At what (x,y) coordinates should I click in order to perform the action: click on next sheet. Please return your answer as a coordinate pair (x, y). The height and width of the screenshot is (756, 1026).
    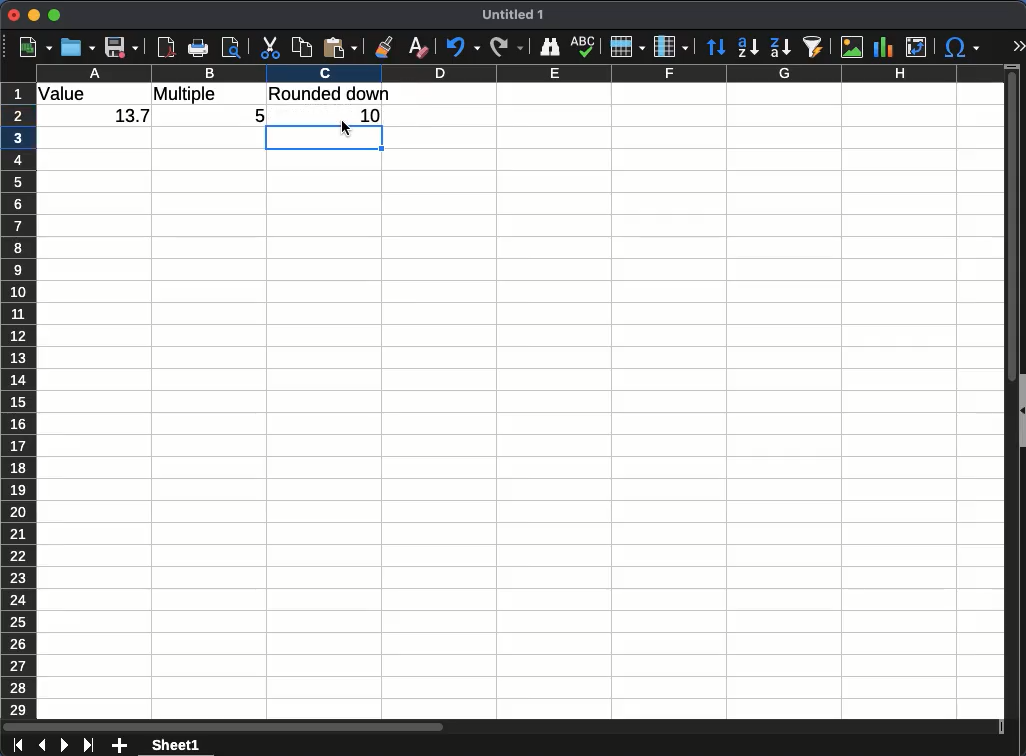
    Looking at the image, I should click on (64, 745).